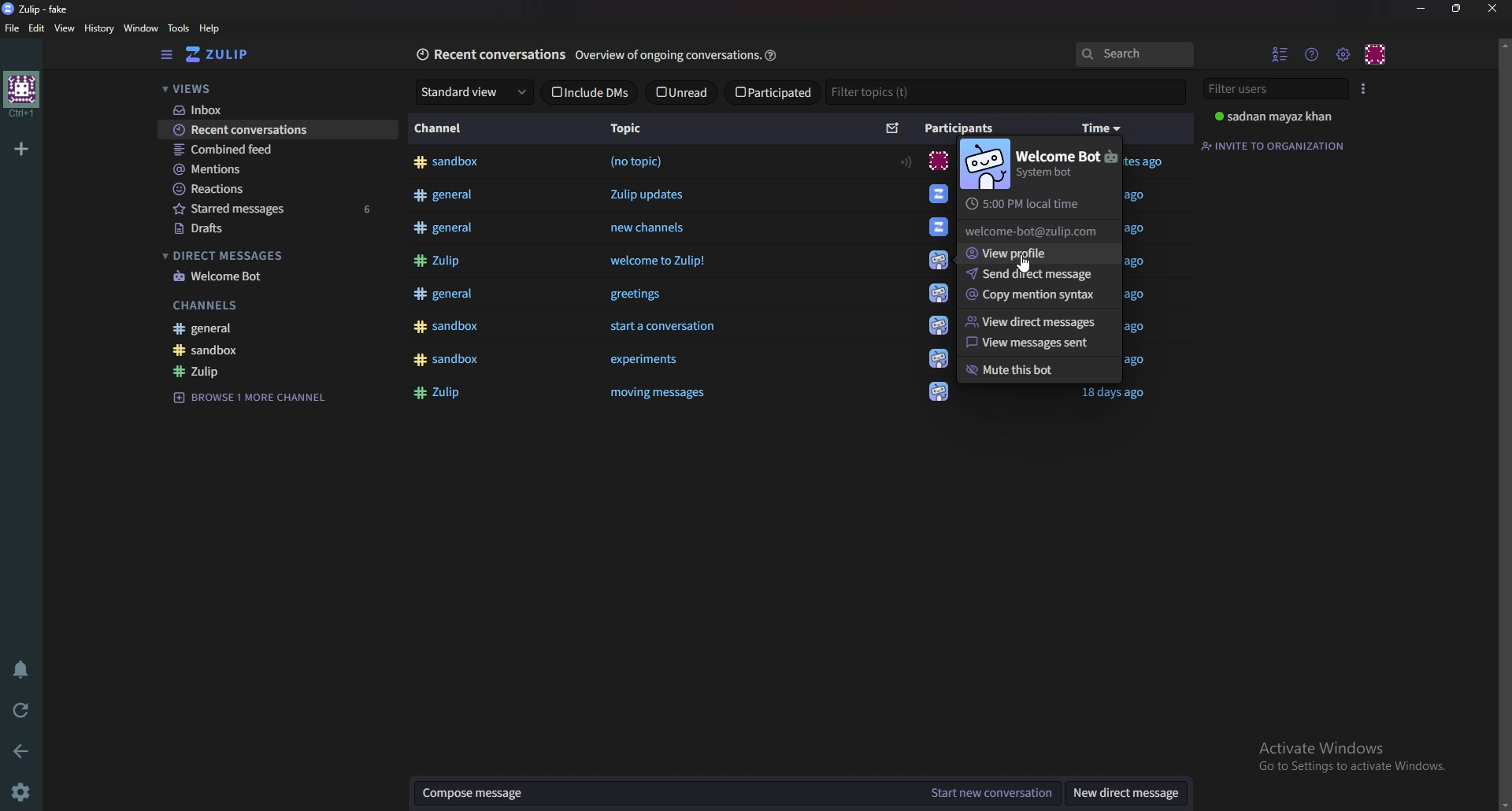  I want to click on History, so click(98, 29).